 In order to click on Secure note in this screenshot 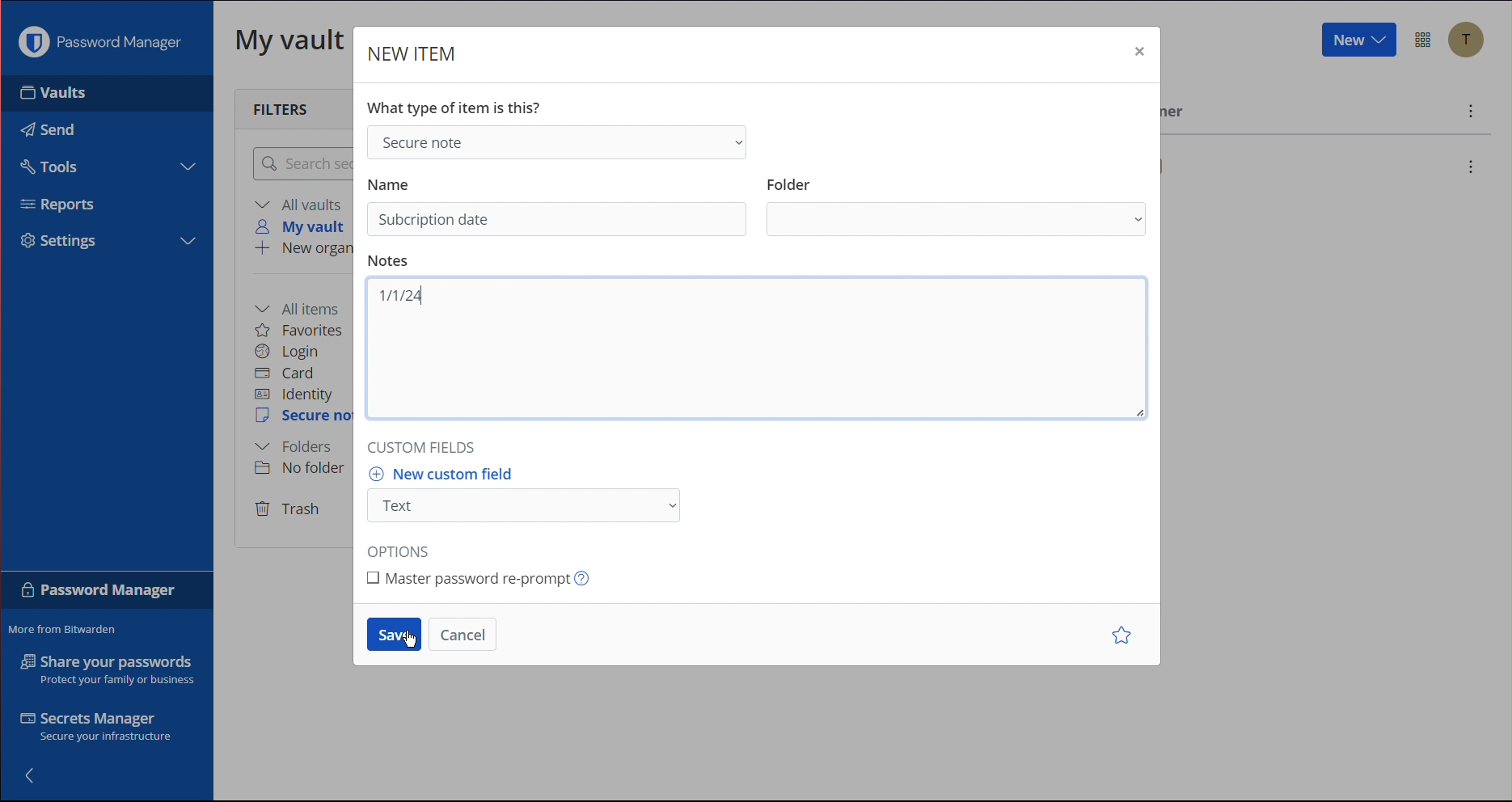, I will do `click(555, 141)`.